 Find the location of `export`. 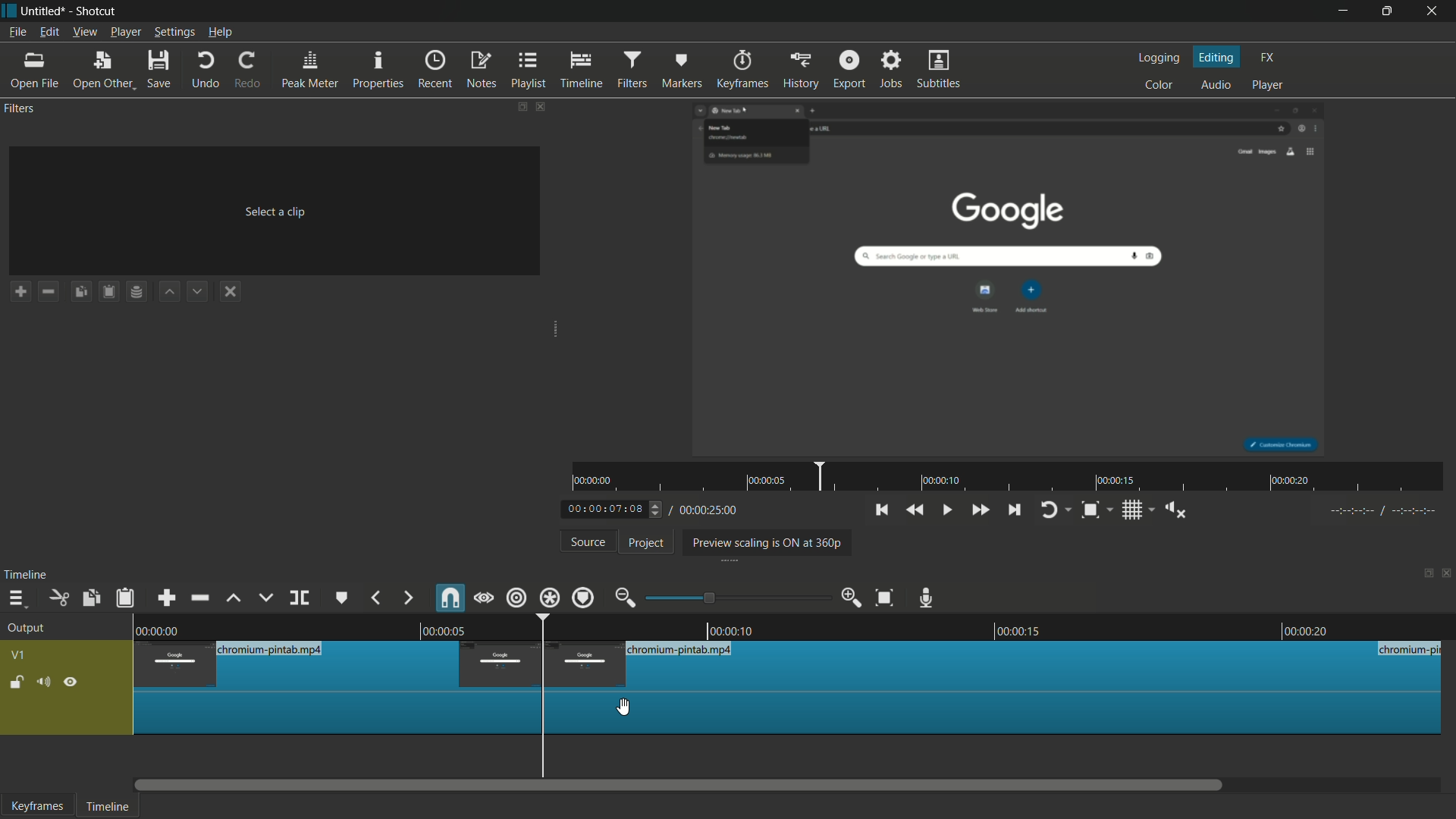

export is located at coordinates (849, 68).